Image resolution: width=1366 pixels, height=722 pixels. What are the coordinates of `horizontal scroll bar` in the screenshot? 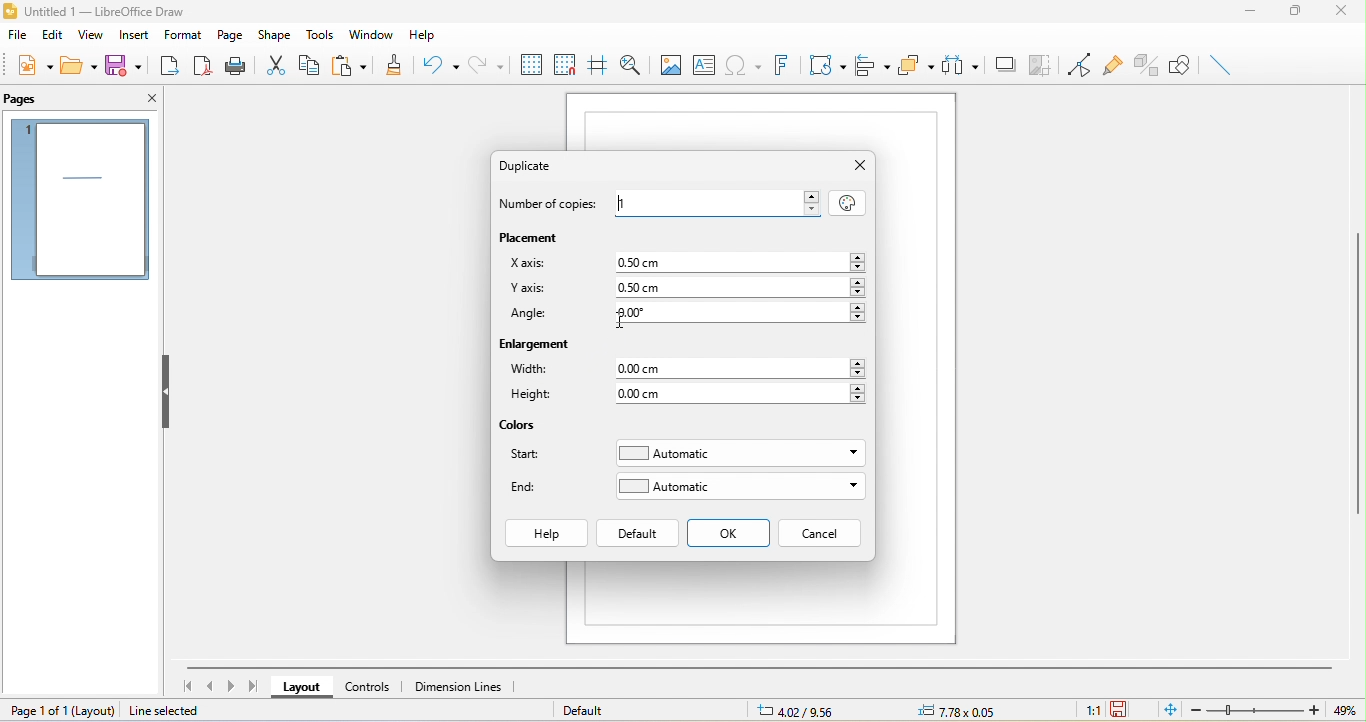 It's located at (759, 666).